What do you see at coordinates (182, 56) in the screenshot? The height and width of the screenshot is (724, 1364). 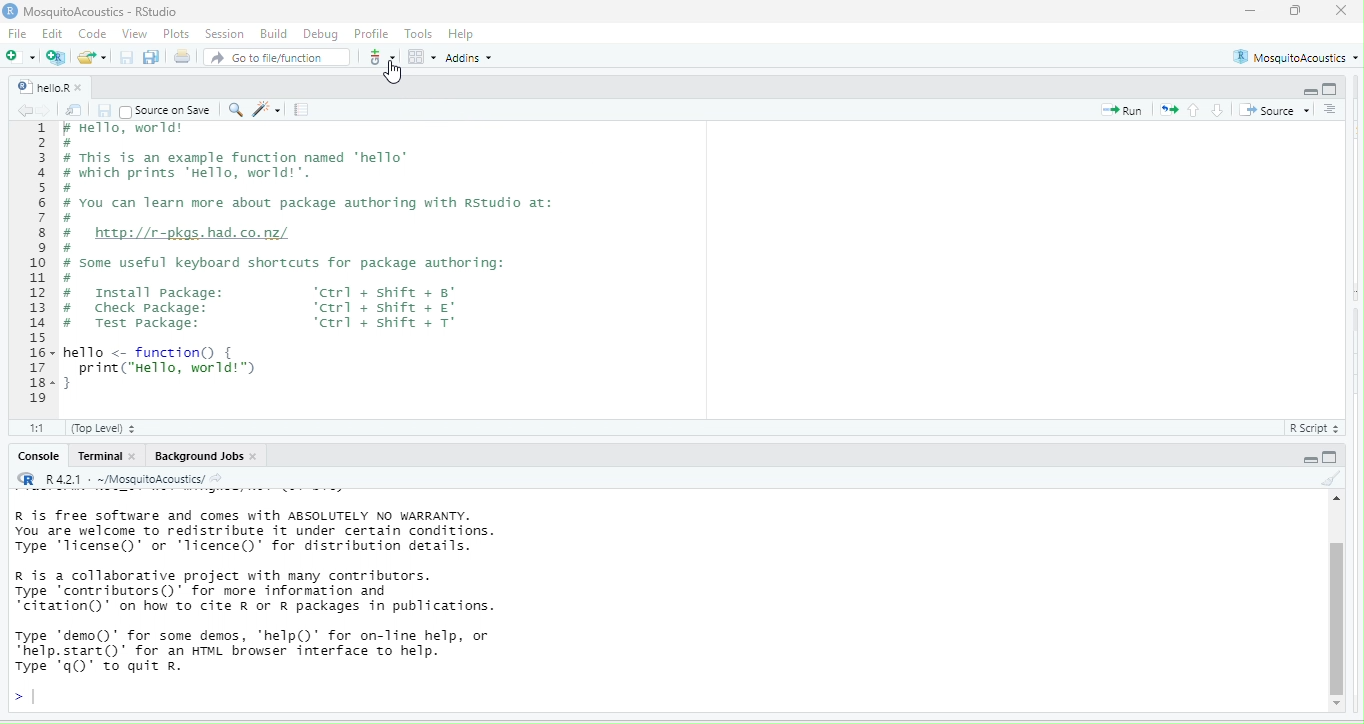 I see `print the current file` at bounding box center [182, 56].